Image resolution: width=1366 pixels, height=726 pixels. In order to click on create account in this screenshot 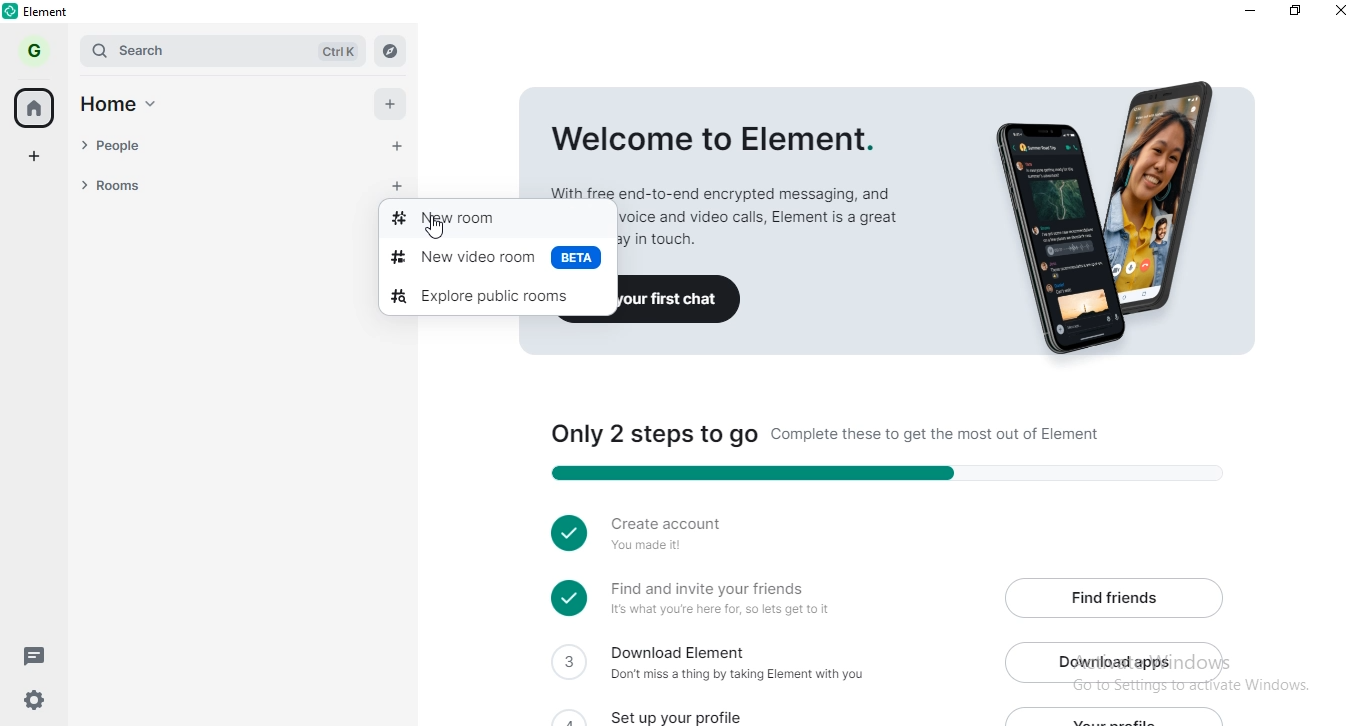, I will do `click(662, 534)`.